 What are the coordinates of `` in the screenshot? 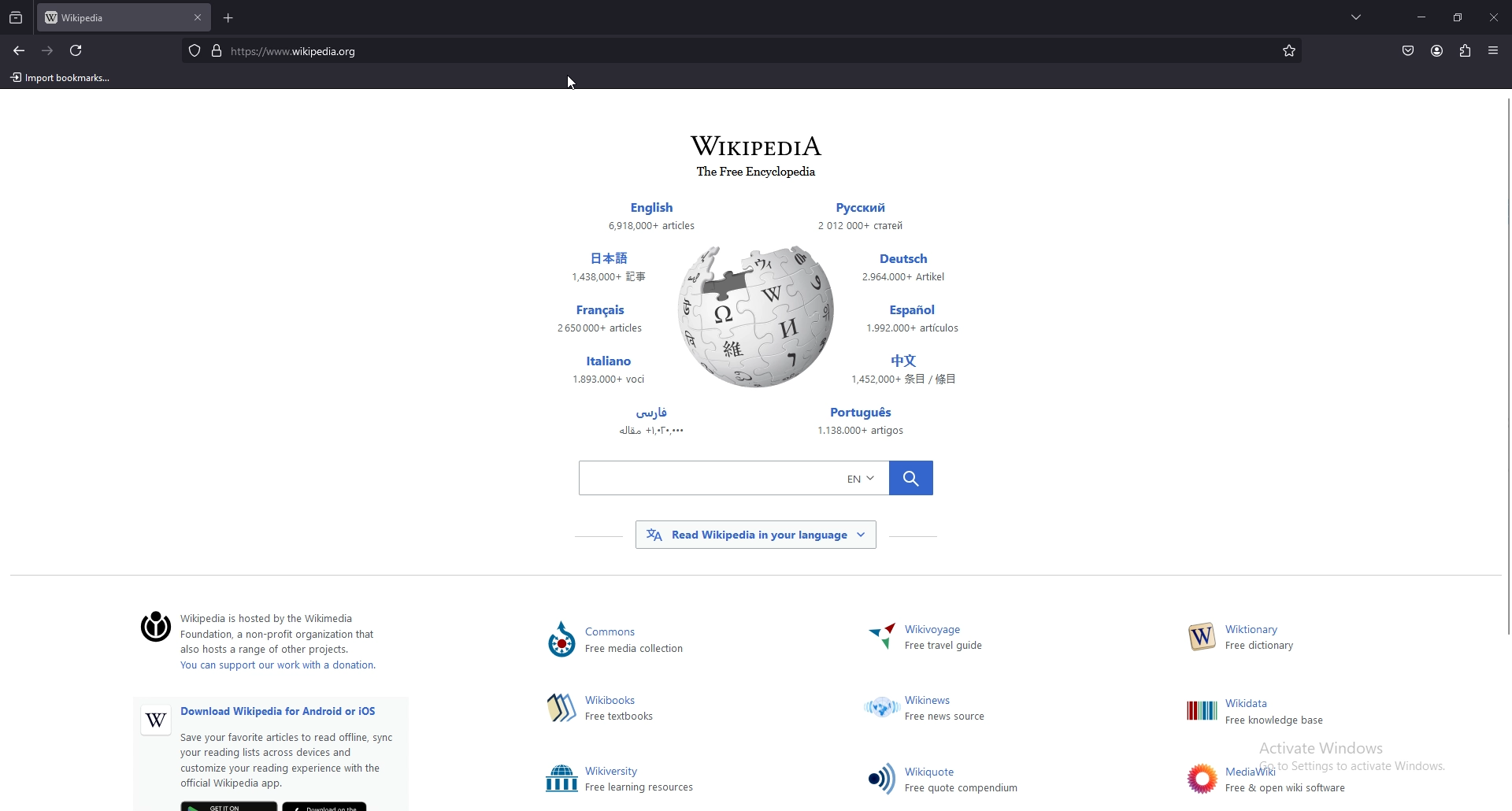 It's located at (916, 271).